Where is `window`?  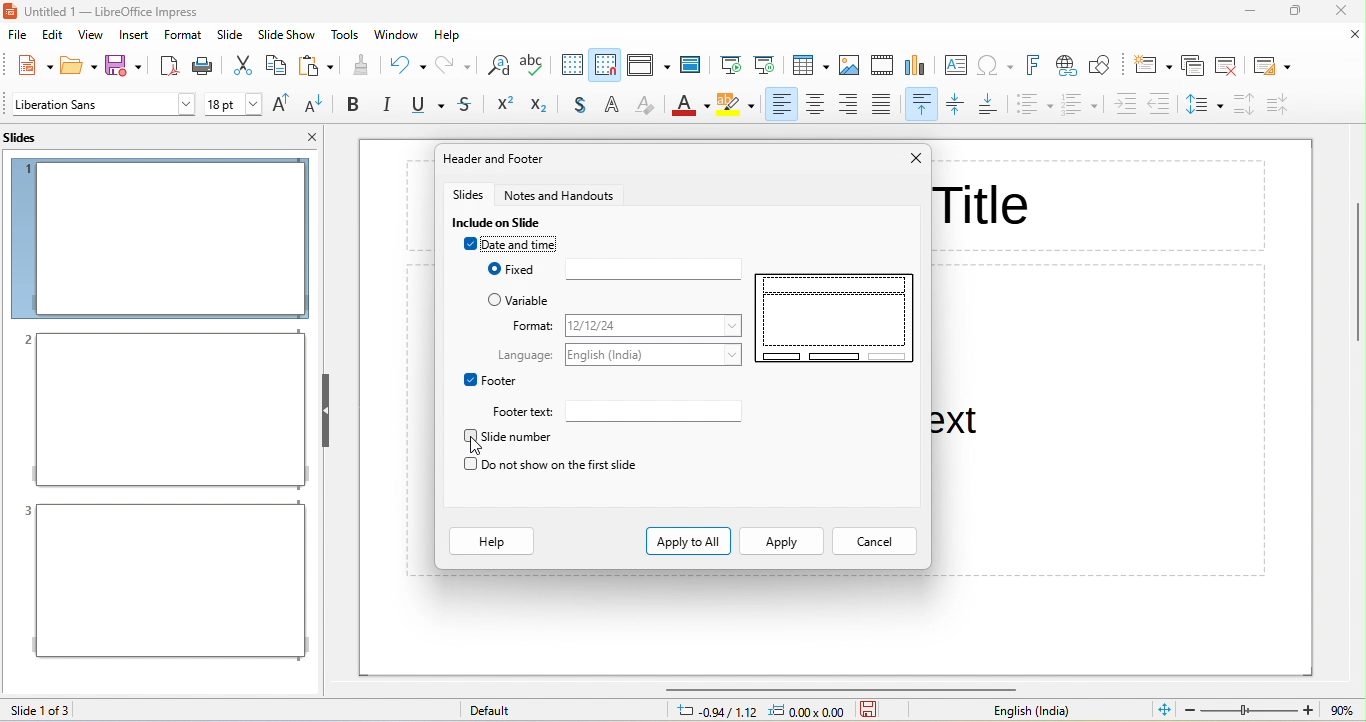 window is located at coordinates (397, 34).